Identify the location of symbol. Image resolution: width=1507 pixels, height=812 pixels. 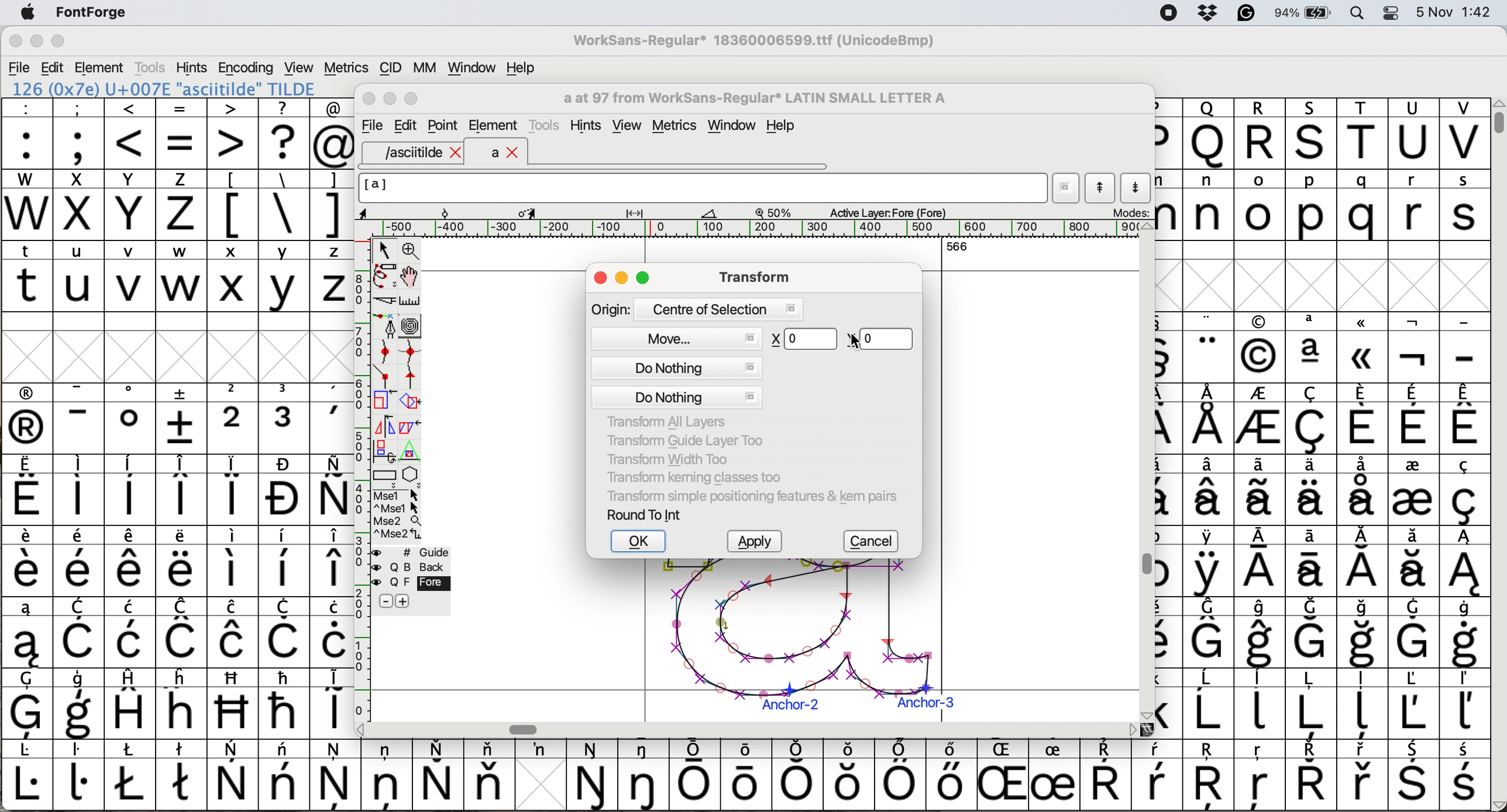
(1315, 489).